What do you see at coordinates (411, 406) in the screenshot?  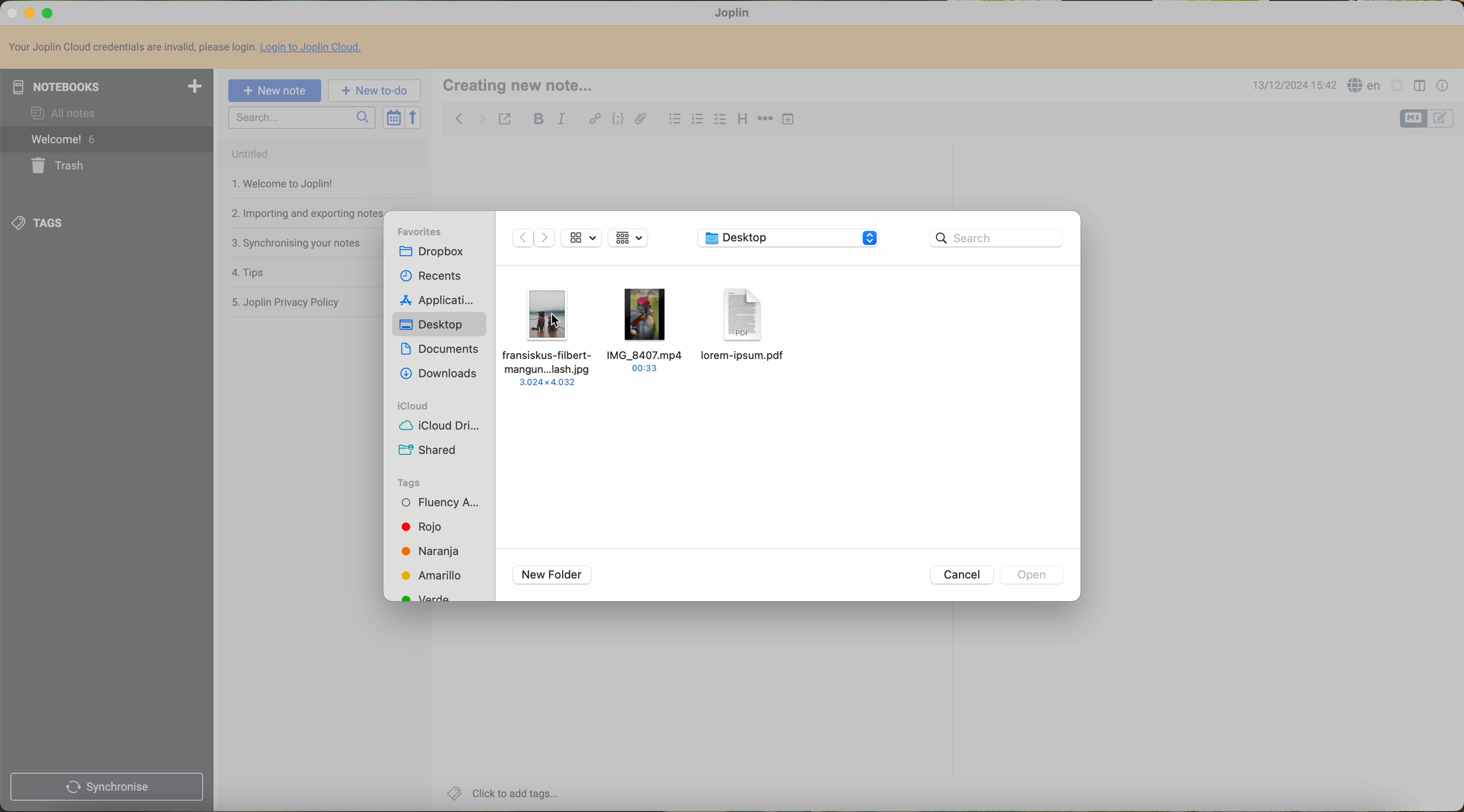 I see `icloud` at bounding box center [411, 406].